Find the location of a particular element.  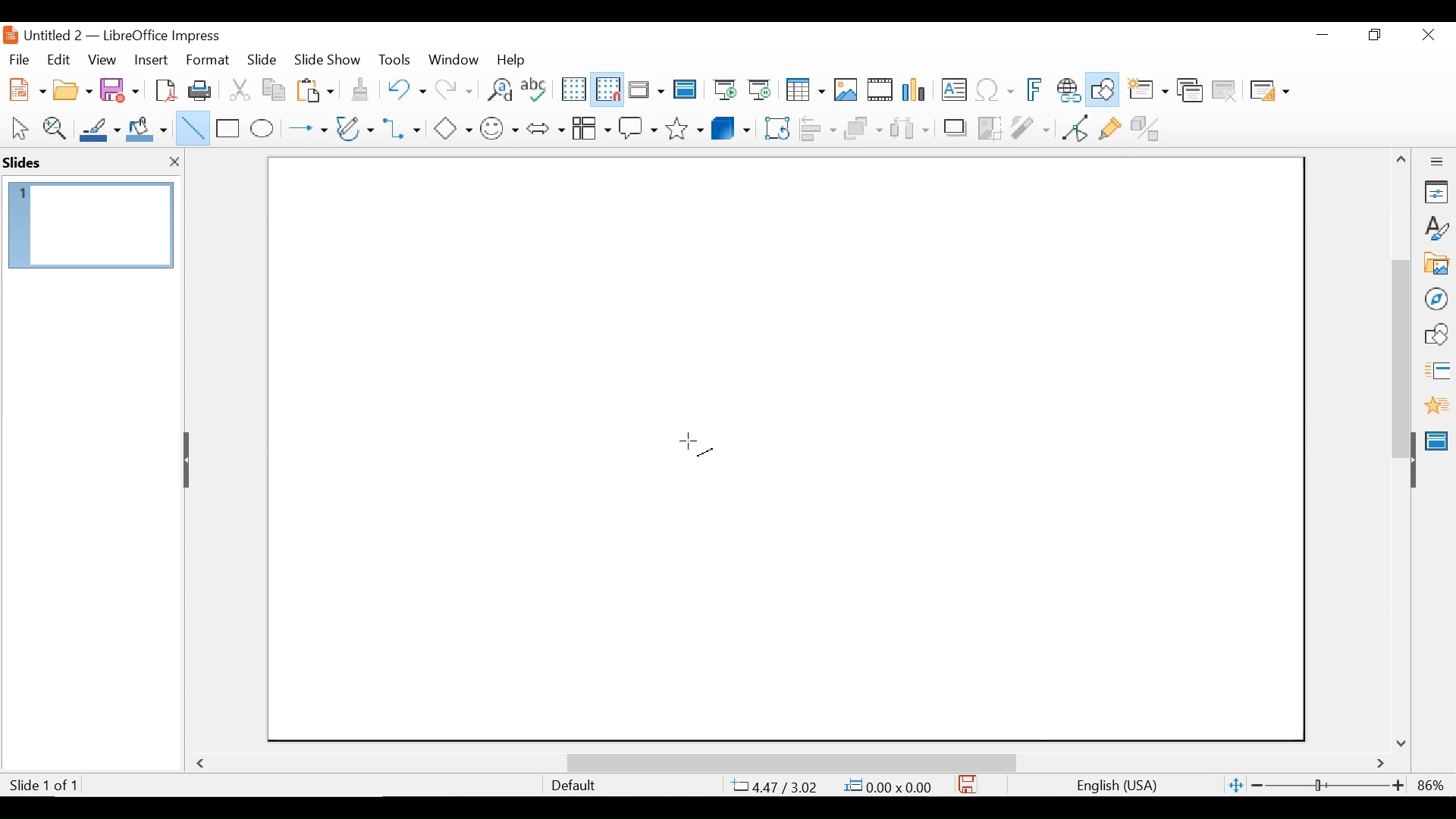

Toggle Extrusion is located at coordinates (1149, 127).